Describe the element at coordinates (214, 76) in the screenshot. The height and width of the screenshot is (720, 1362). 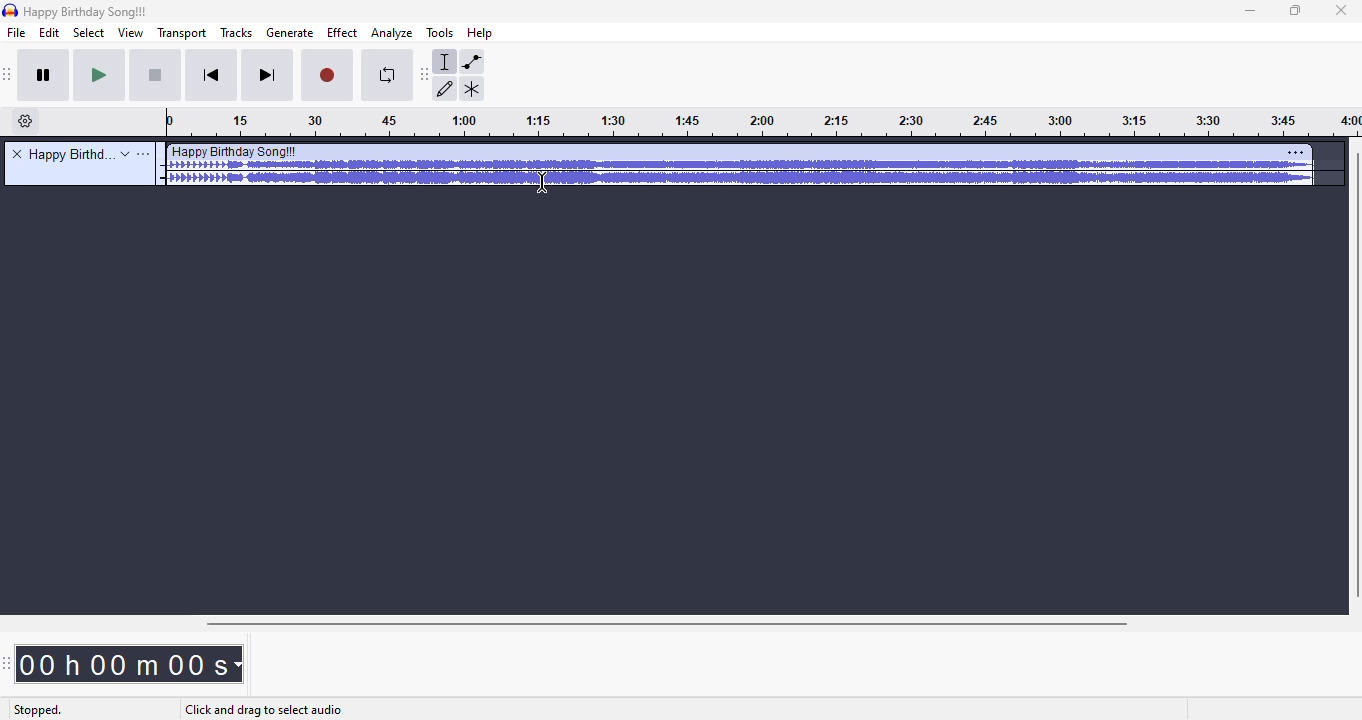
I see `skip to start` at that location.